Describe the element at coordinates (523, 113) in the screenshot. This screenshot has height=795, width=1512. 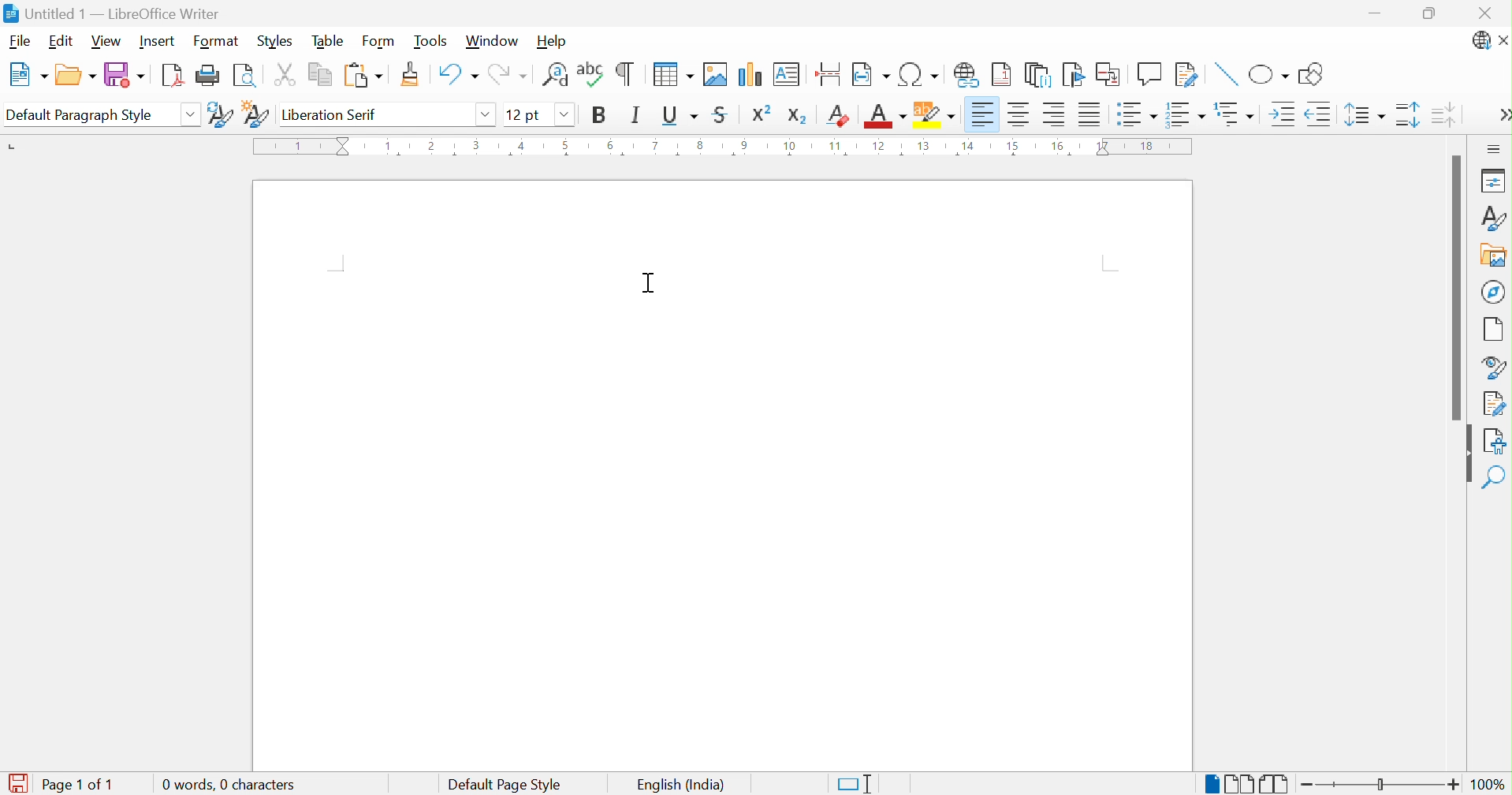
I see `12 pt` at that location.